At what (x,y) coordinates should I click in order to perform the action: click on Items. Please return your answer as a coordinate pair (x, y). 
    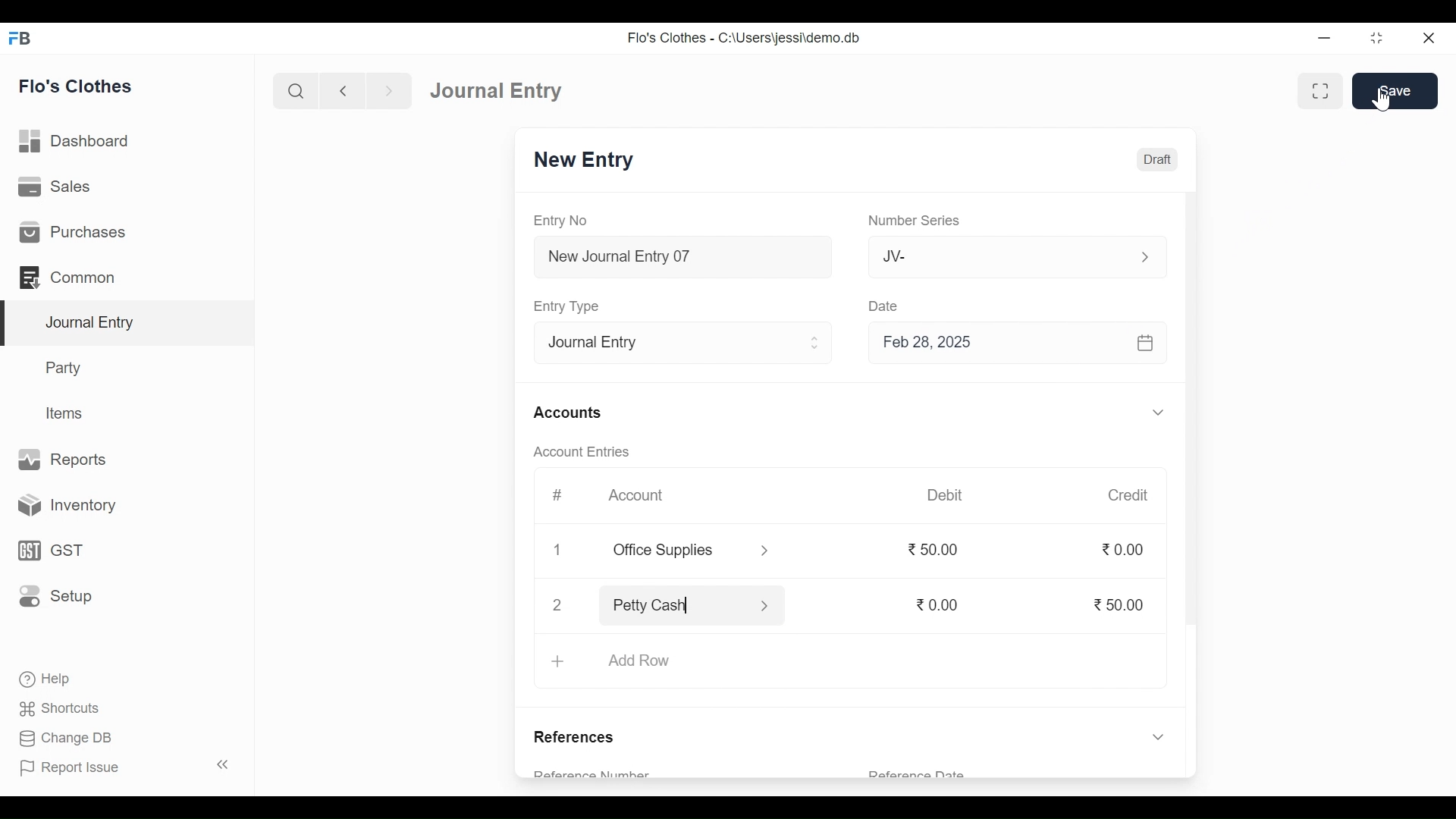
    Looking at the image, I should click on (67, 413).